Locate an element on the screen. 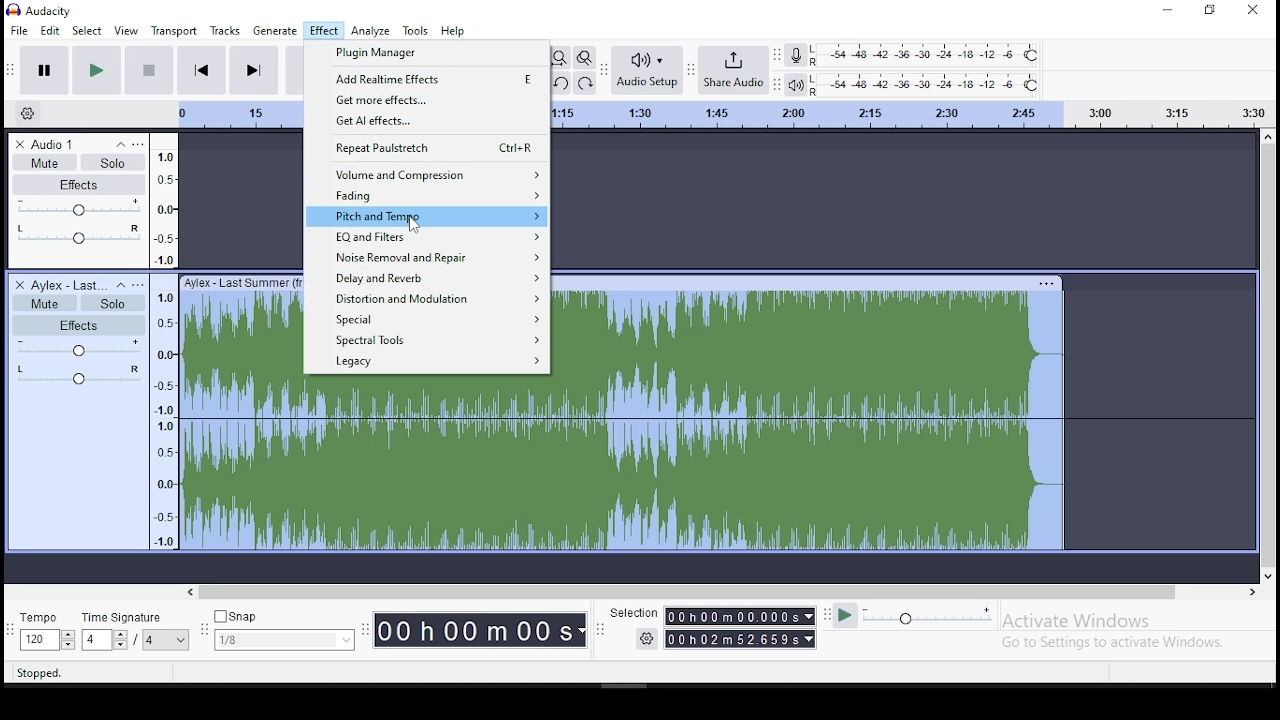 The image size is (1280, 720). tools is located at coordinates (416, 31).